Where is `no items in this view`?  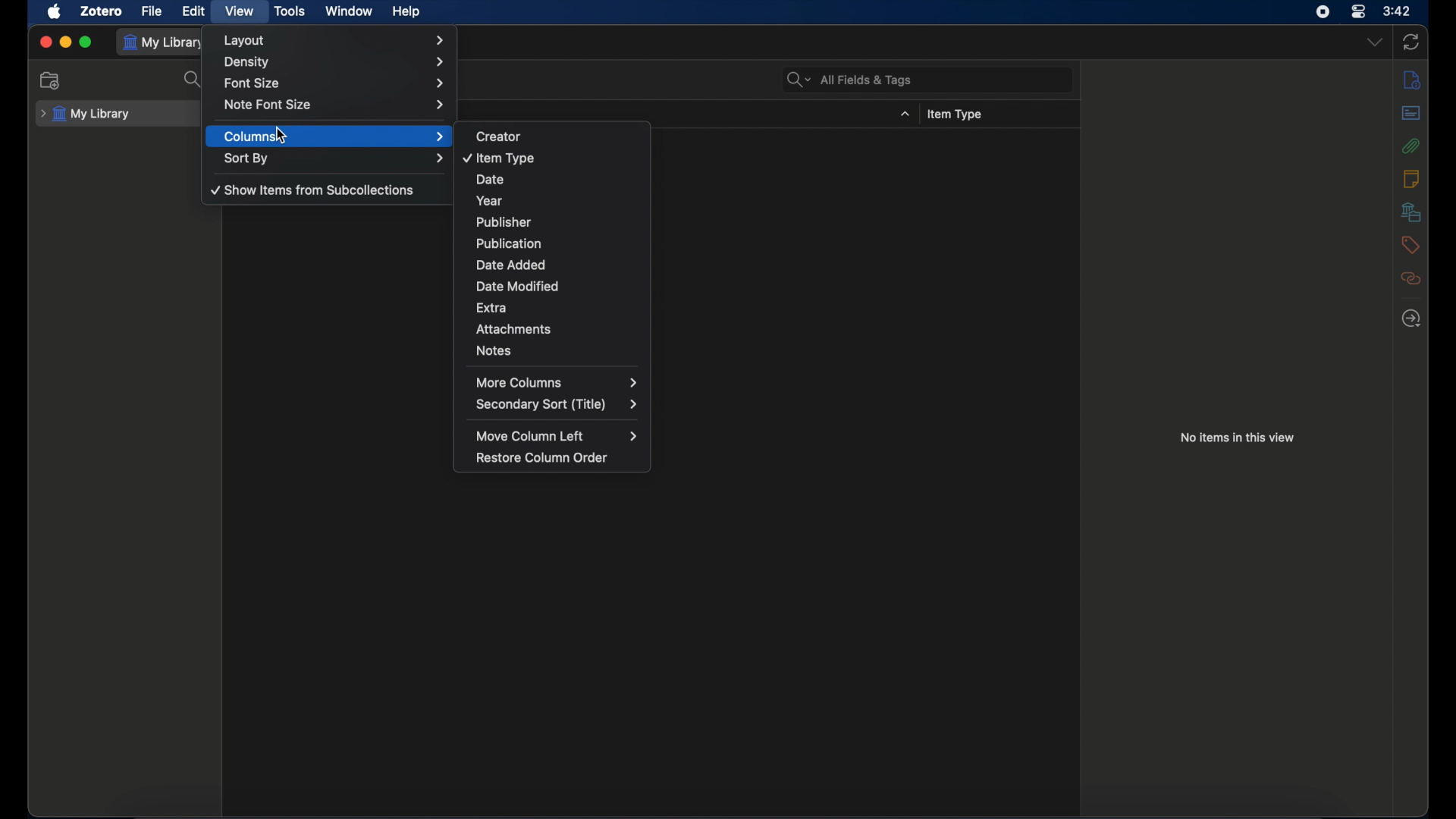
no items in this view is located at coordinates (1238, 438).